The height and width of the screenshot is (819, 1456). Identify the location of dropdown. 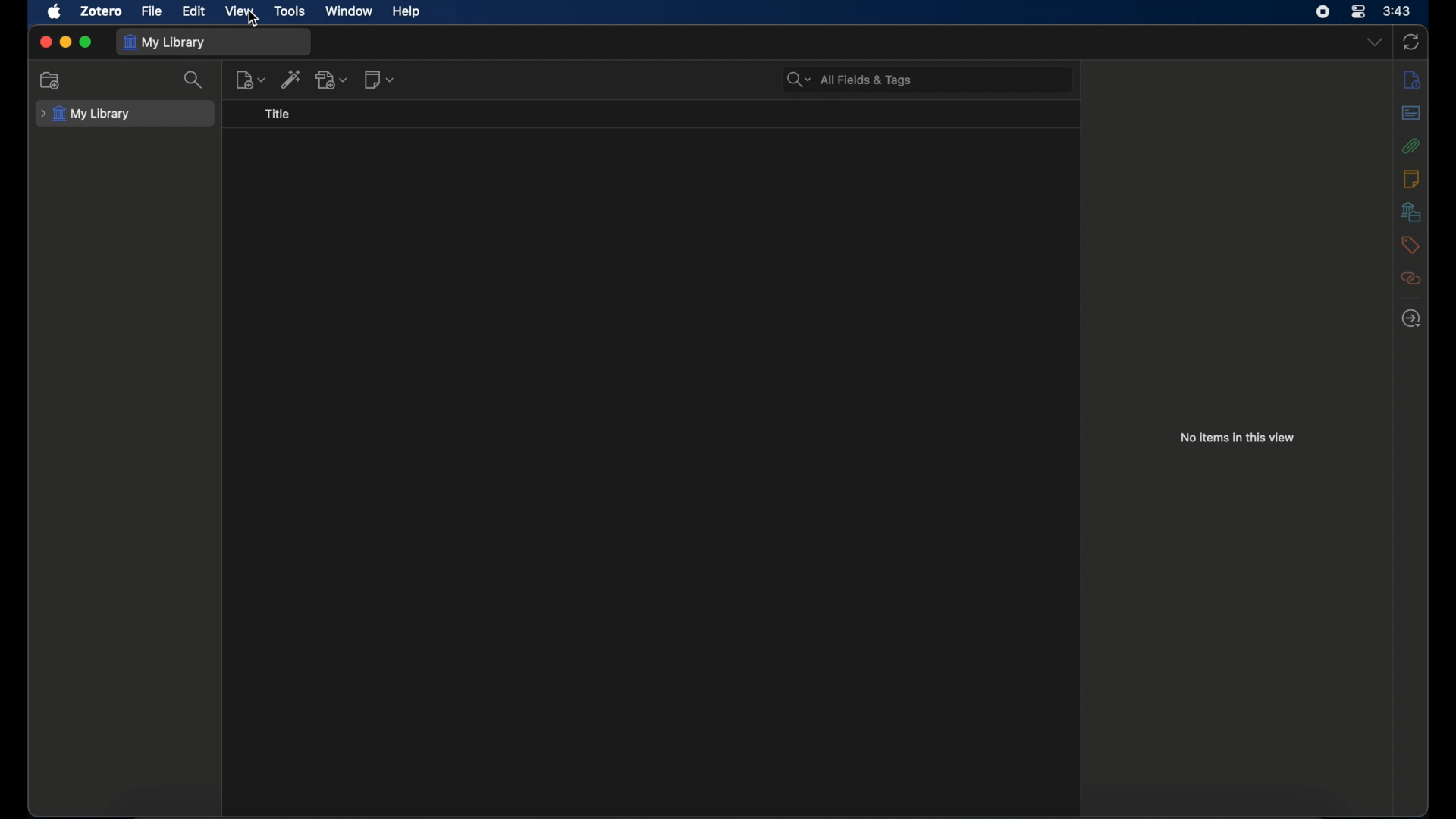
(1373, 42).